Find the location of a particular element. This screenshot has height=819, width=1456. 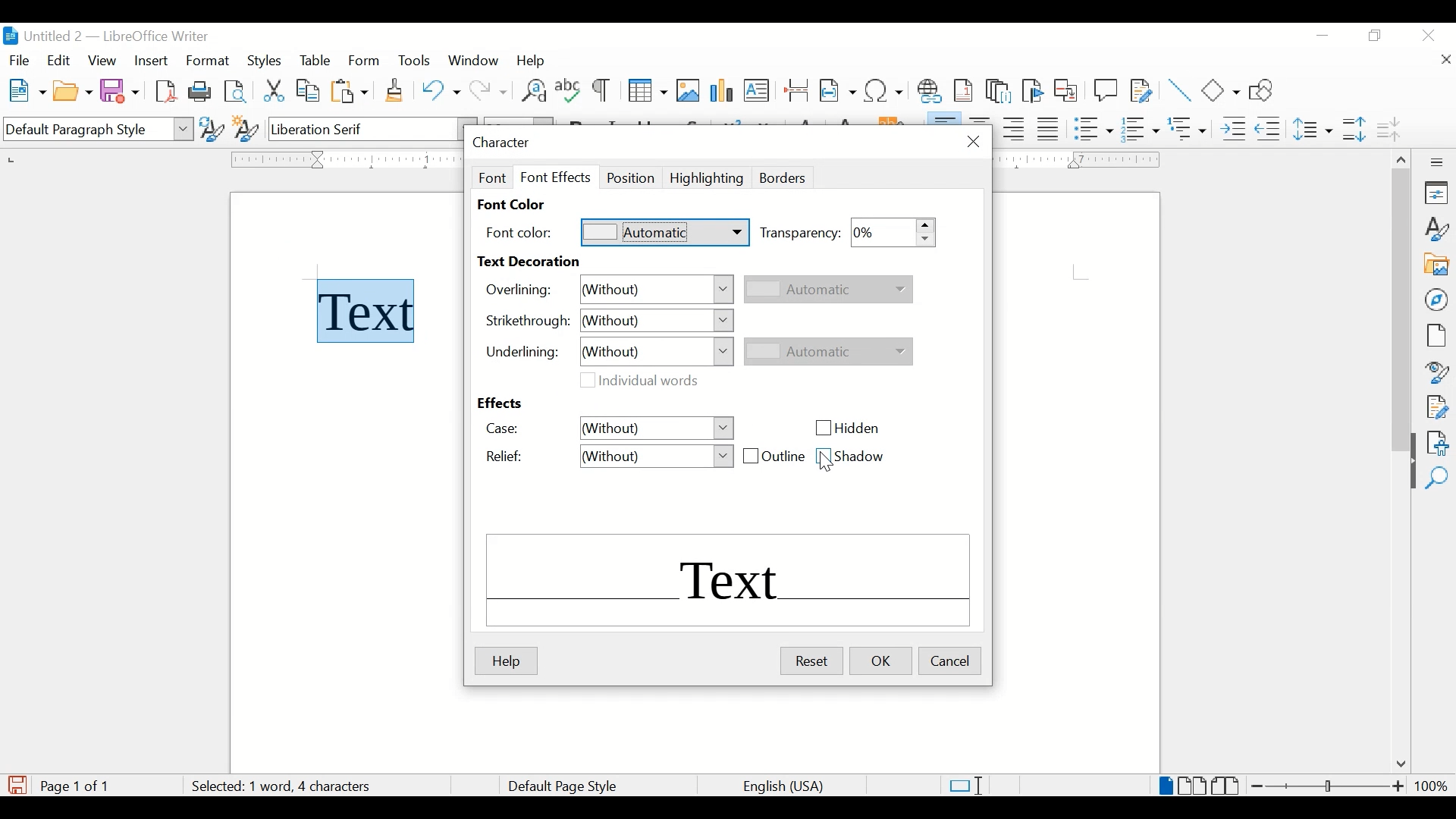

borders is located at coordinates (785, 178).